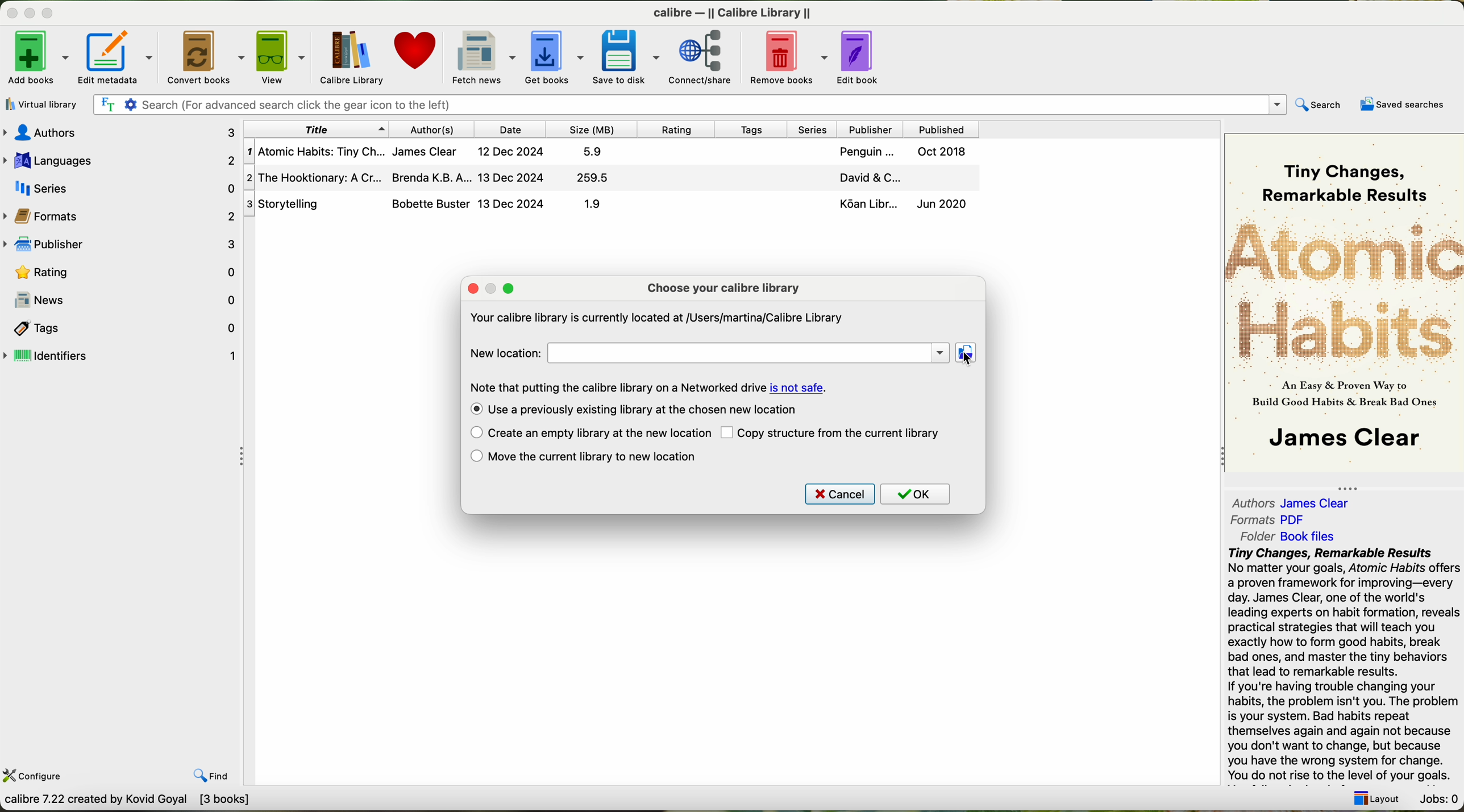 This screenshot has width=1464, height=812. What do you see at coordinates (728, 434) in the screenshot?
I see `check box` at bounding box center [728, 434].